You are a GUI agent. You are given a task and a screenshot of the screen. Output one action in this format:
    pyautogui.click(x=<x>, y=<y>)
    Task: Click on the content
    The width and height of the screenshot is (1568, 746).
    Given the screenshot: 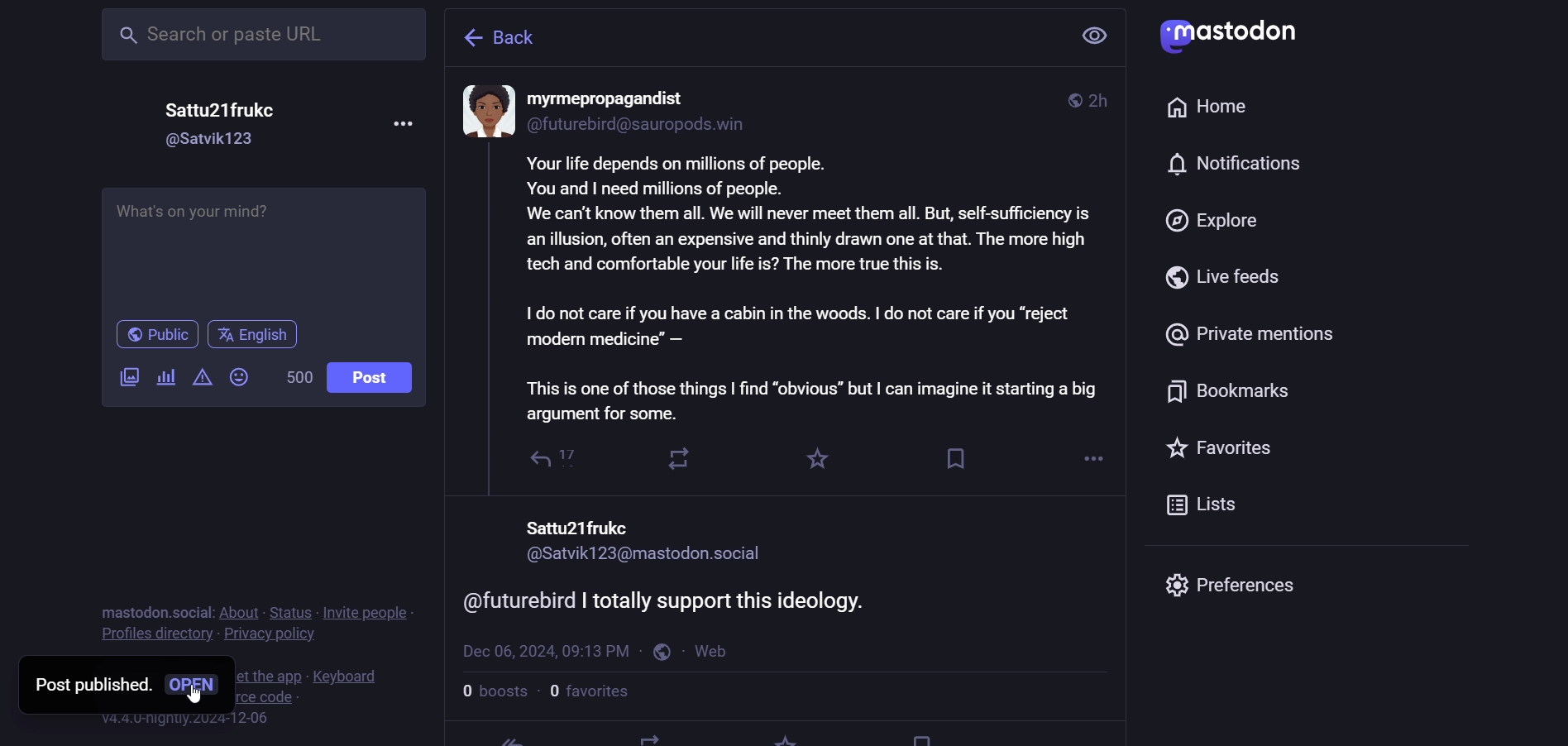 What is the action you would take?
    pyautogui.click(x=782, y=292)
    